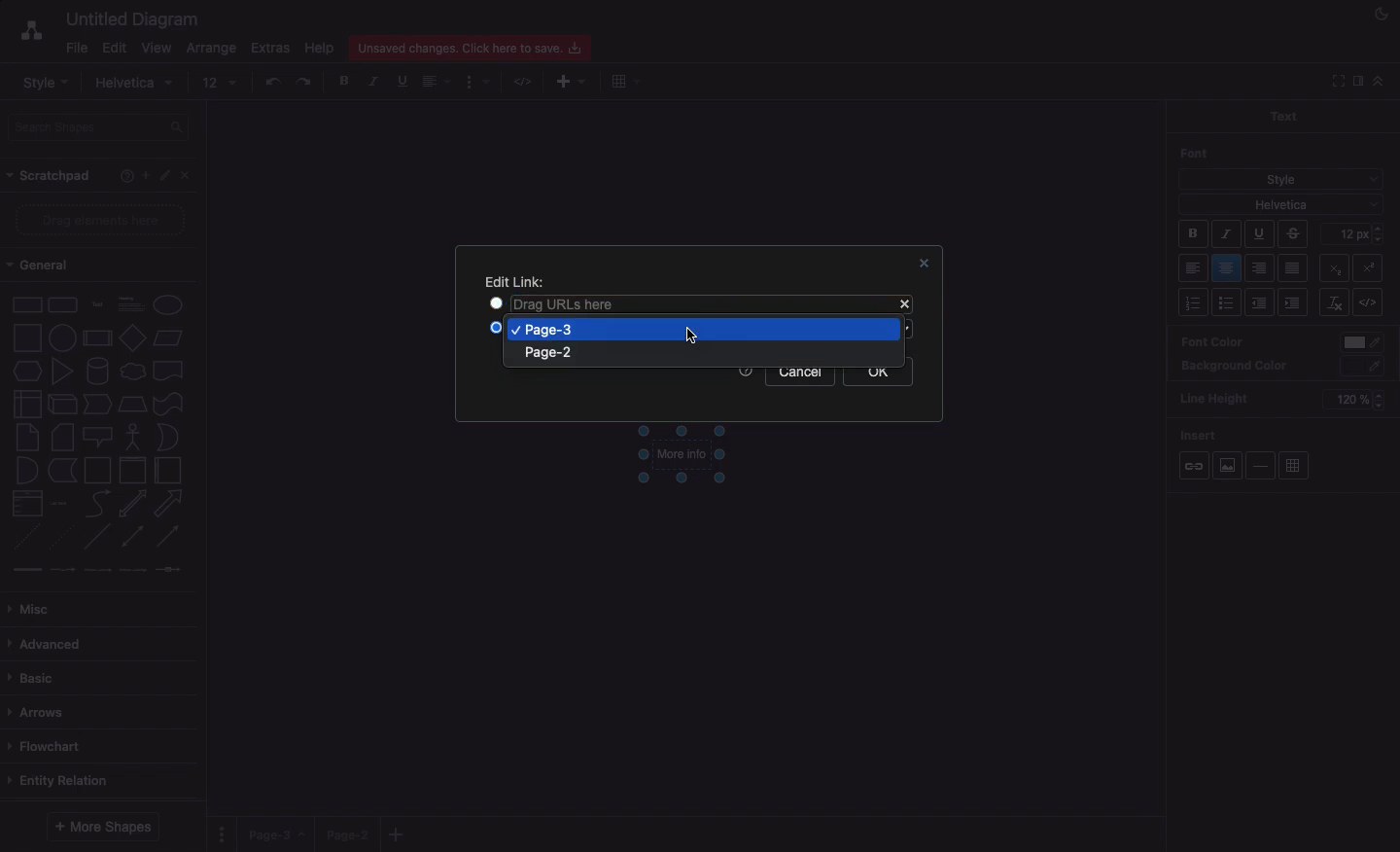 Image resolution: width=1400 pixels, height=852 pixels. Describe the element at coordinates (564, 83) in the screenshot. I see `Add` at that location.